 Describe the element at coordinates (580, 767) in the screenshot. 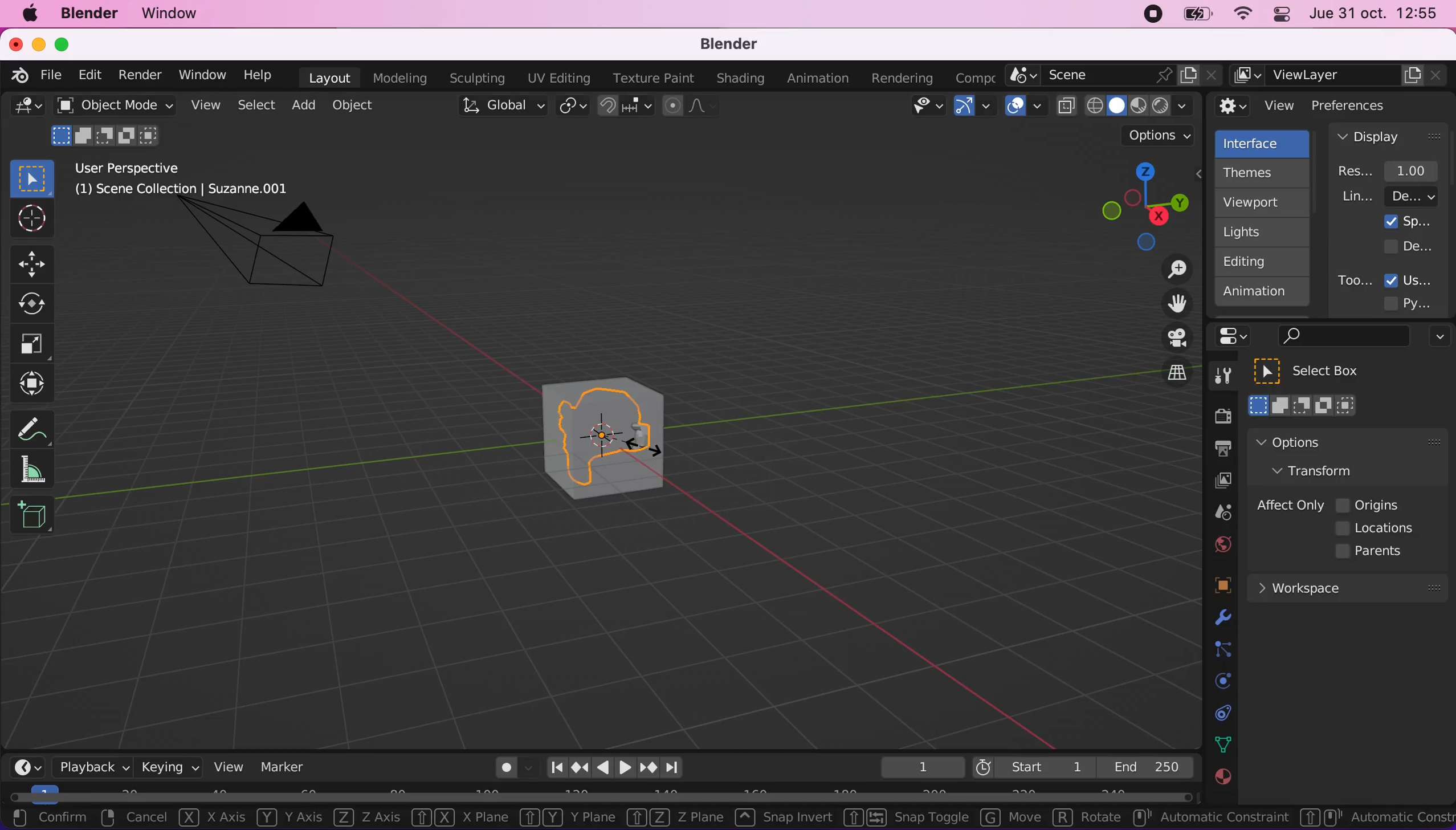

I see `jump to keyframe` at that location.